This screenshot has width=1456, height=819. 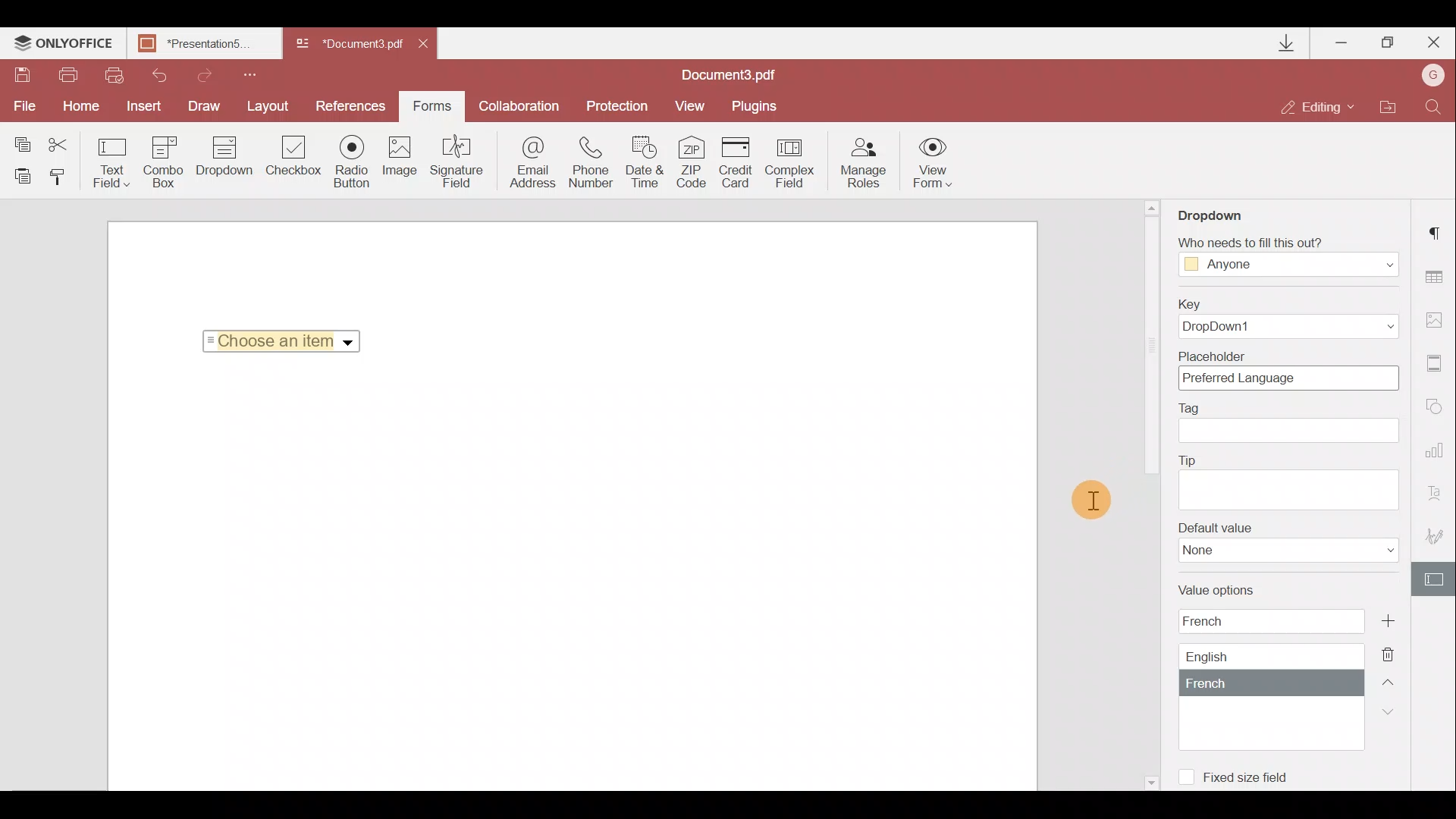 What do you see at coordinates (1434, 105) in the screenshot?
I see `Find` at bounding box center [1434, 105].